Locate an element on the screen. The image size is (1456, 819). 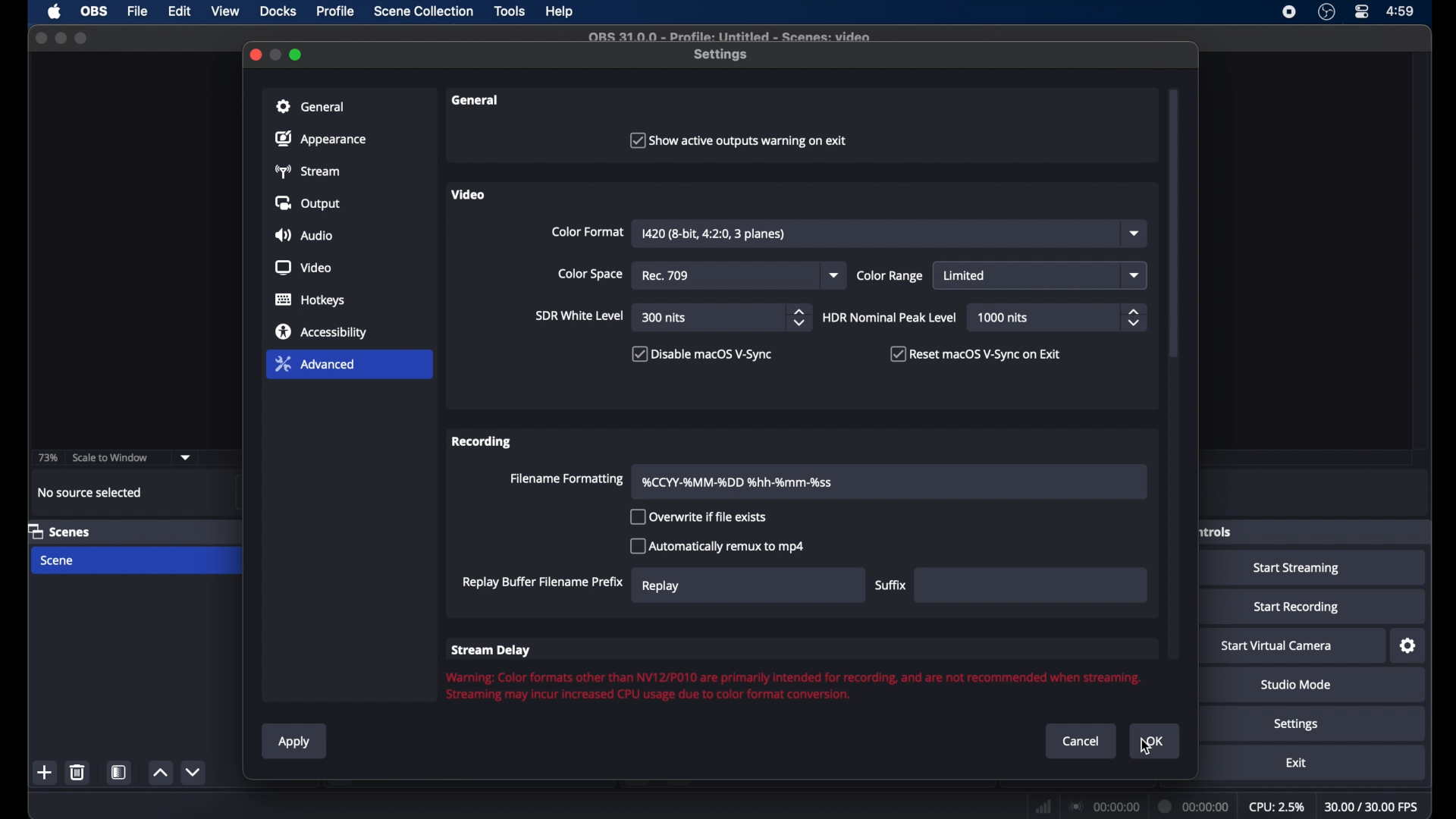
reset macOS V-sync on exit is located at coordinates (975, 353).